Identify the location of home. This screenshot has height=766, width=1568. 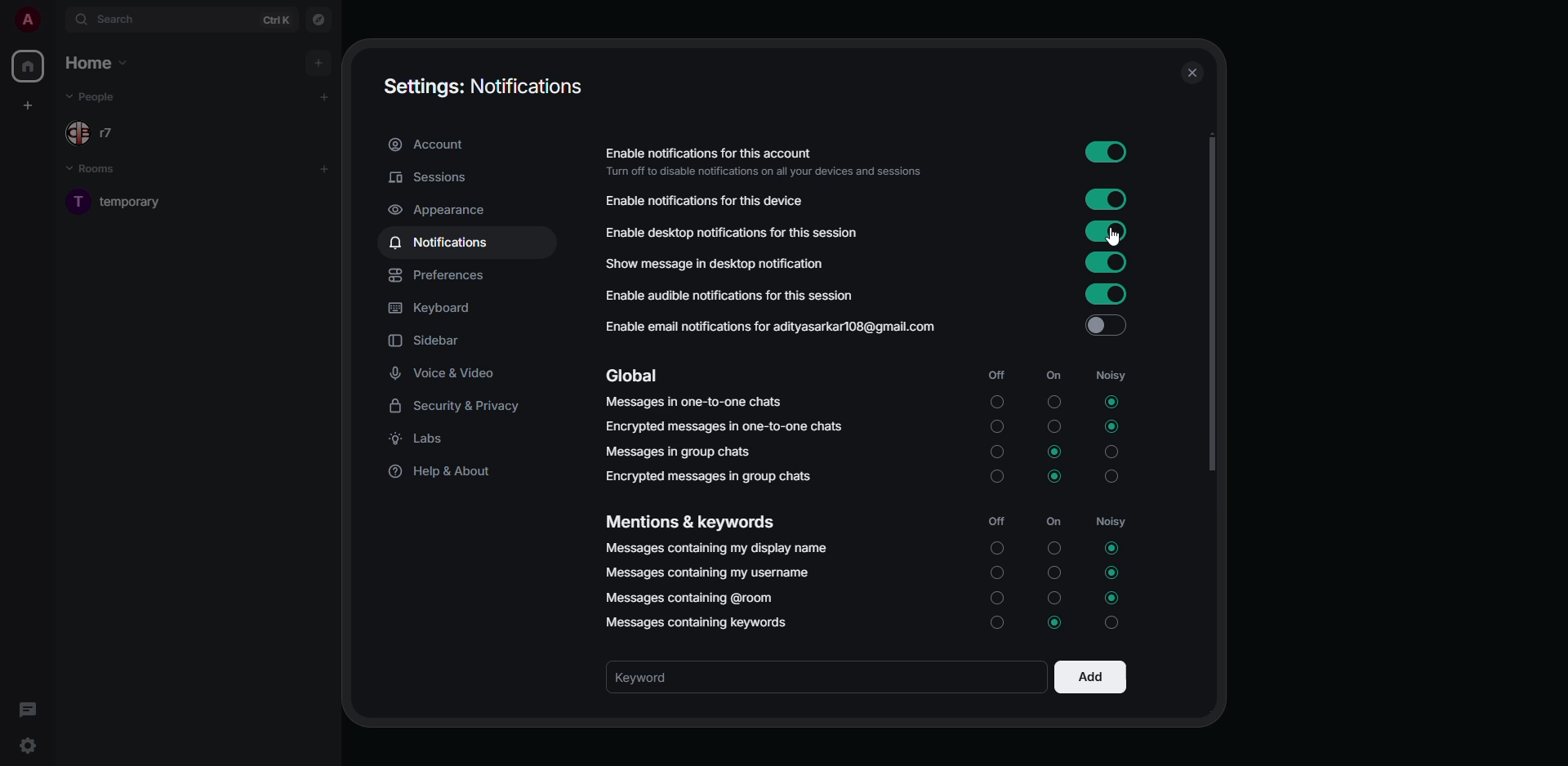
(99, 62).